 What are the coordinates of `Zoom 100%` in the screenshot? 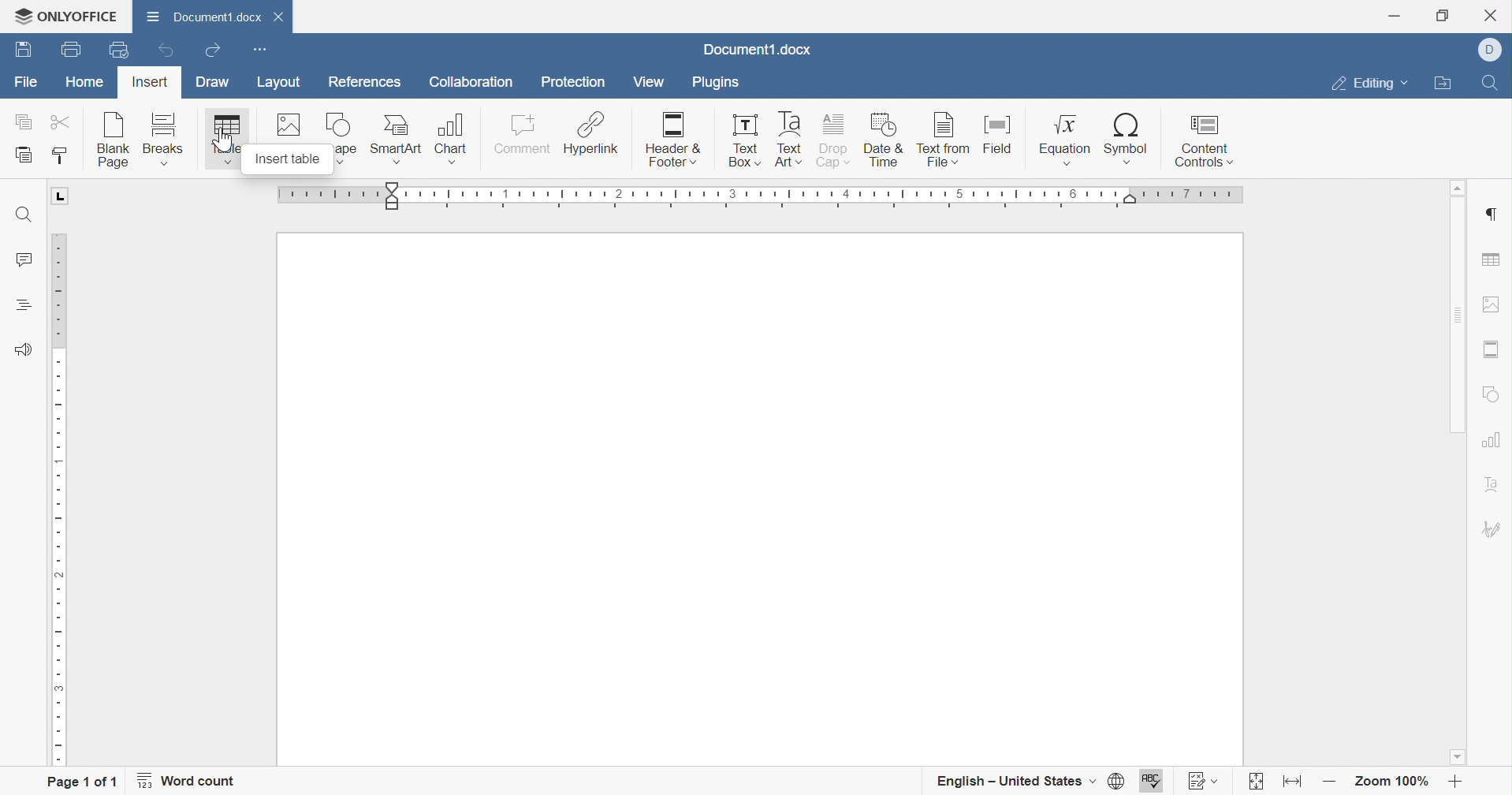 It's located at (1395, 782).